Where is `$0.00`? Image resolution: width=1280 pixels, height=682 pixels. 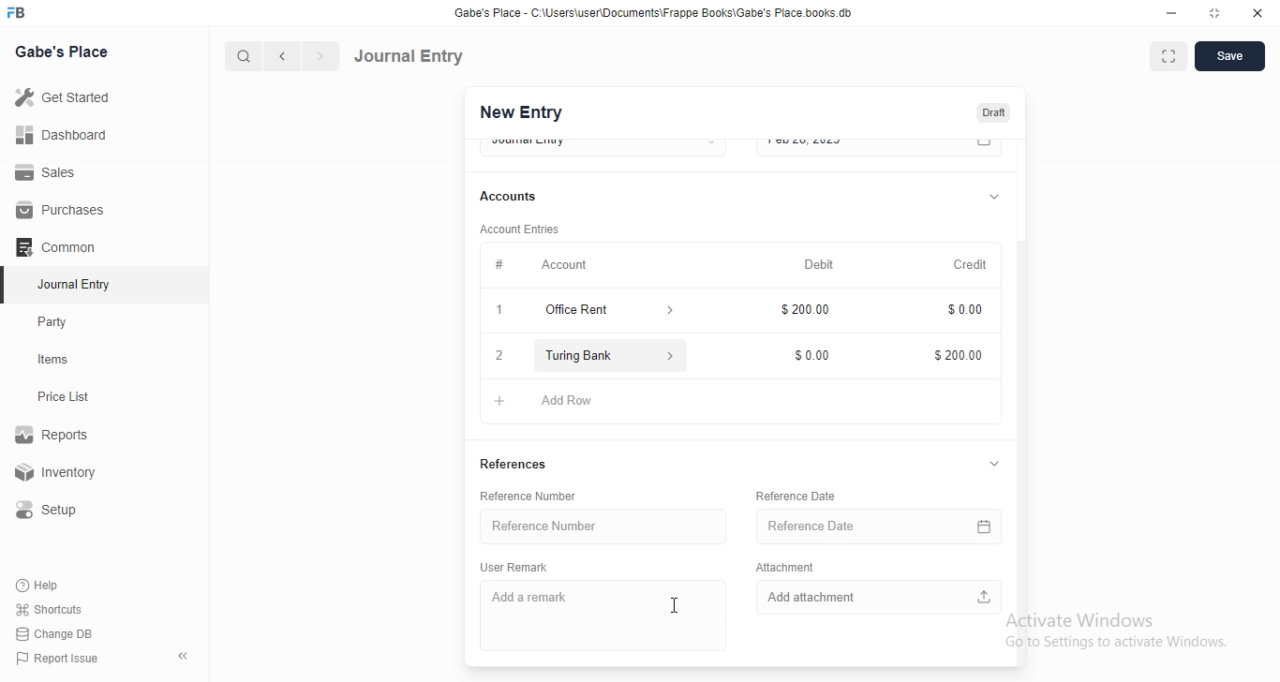 $0.00 is located at coordinates (804, 355).